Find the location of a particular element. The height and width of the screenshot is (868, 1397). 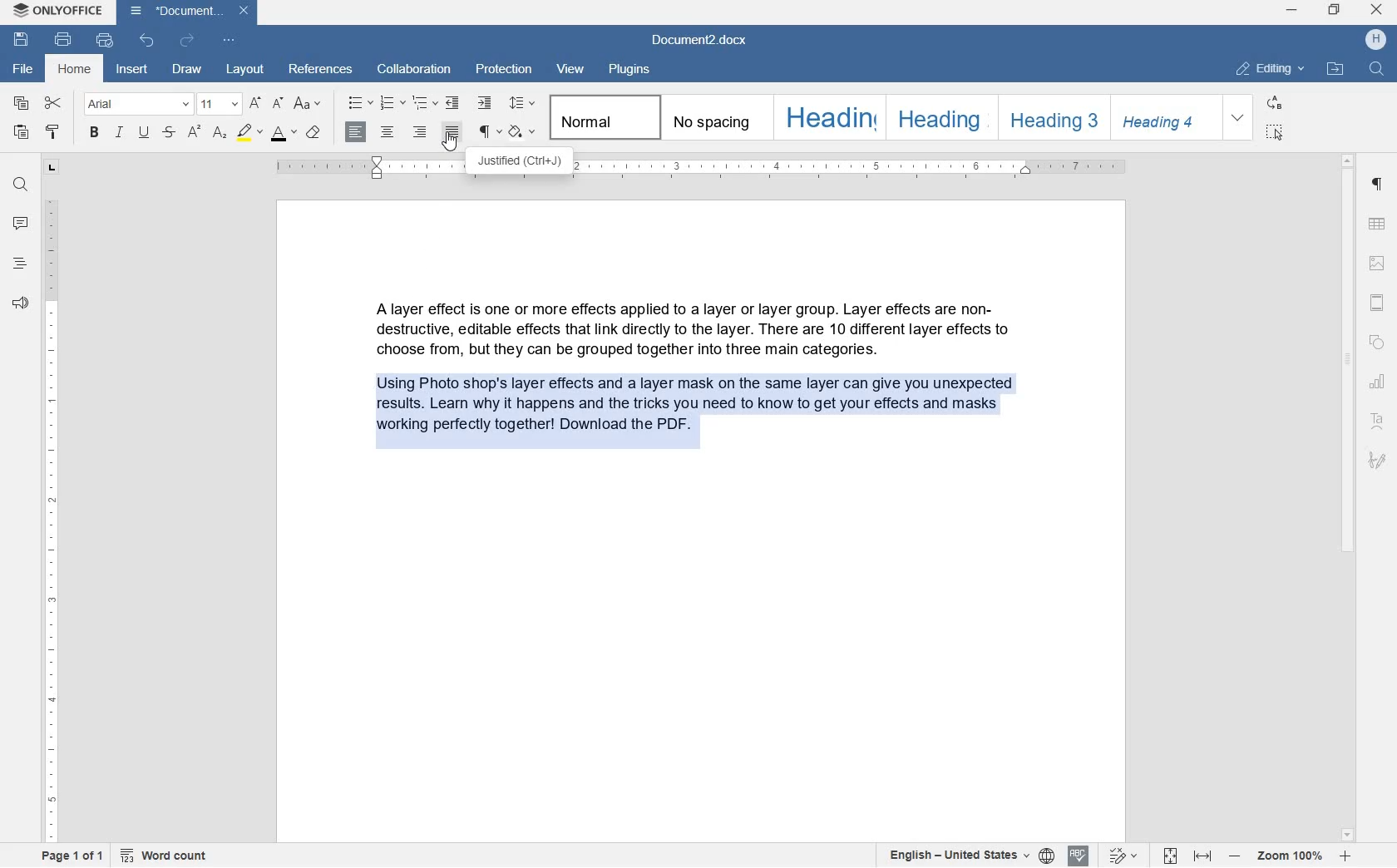

SUBSCRIPT is located at coordinates (219, 133).